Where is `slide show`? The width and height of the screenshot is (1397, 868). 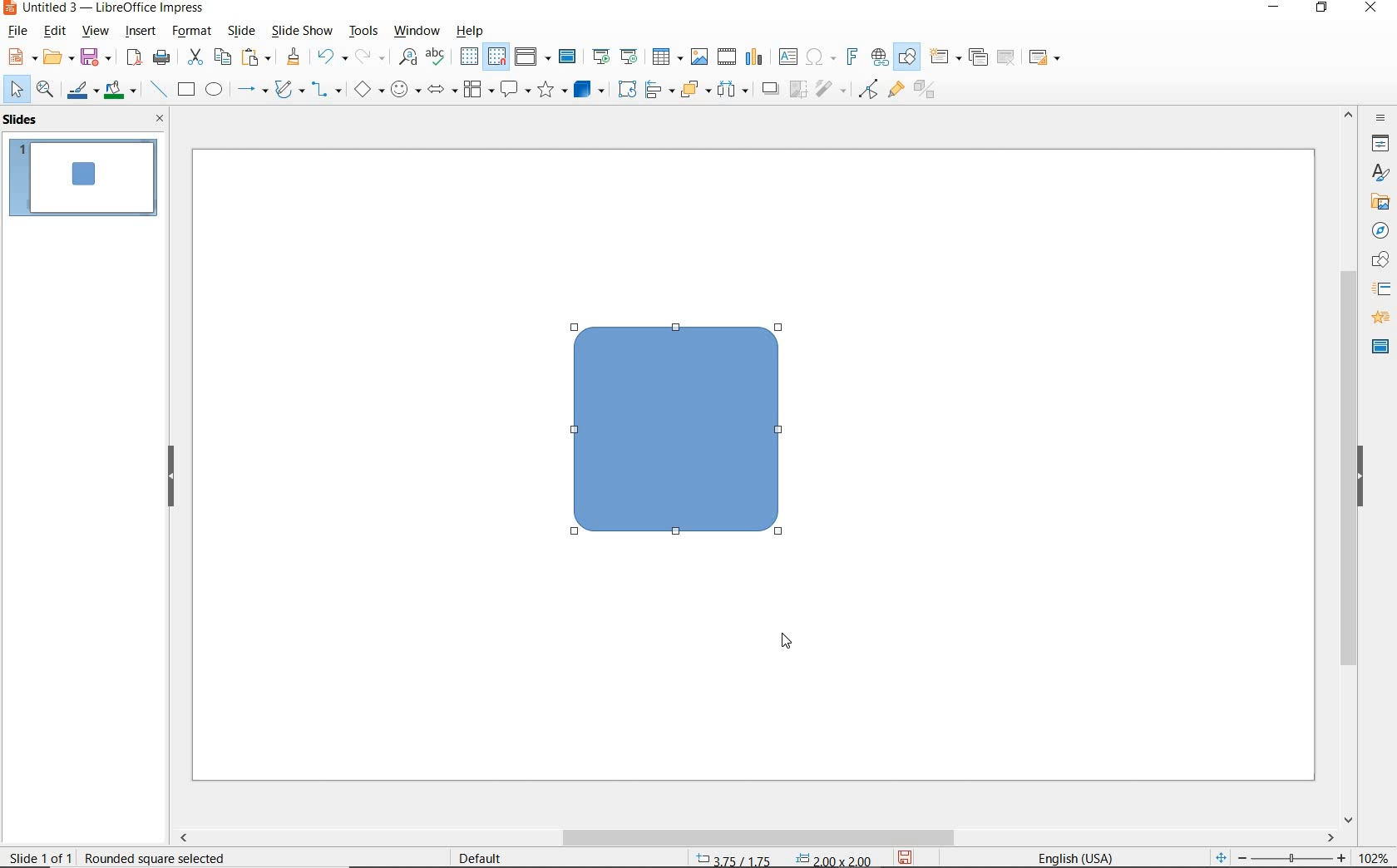
slide show is located at coordinates (303, 32).